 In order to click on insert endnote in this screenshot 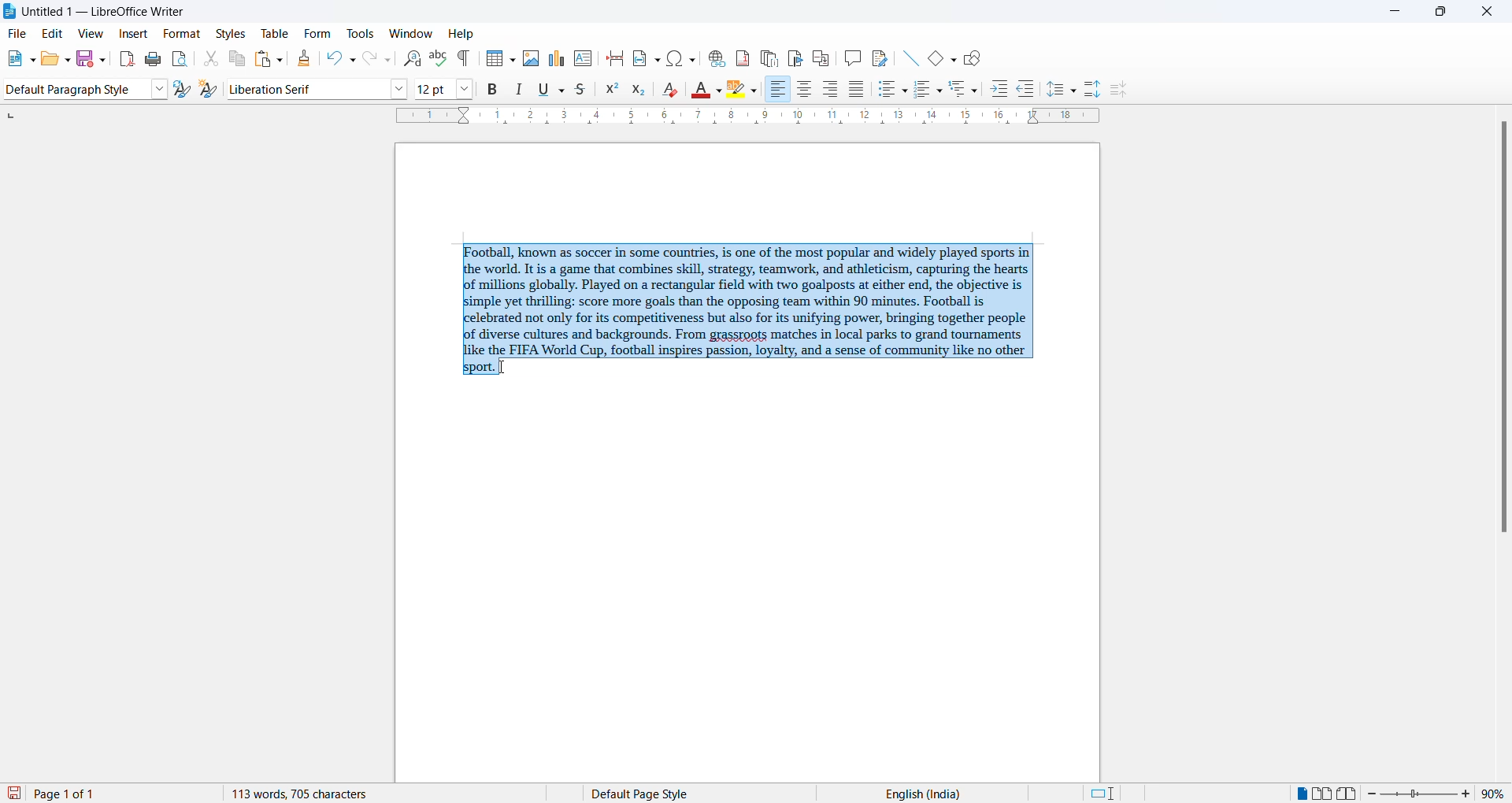, I will do `click(769, 56)`.